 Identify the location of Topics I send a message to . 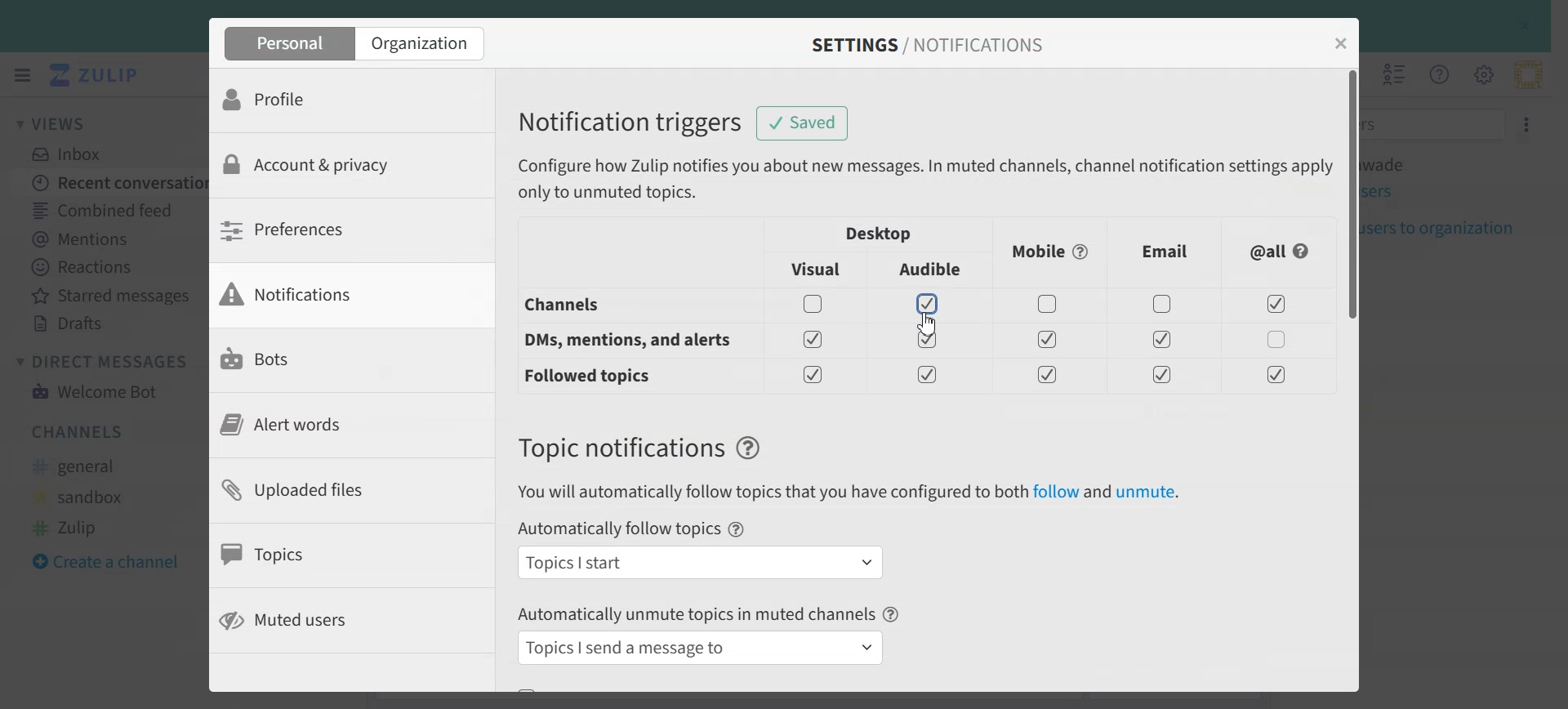
(703, 648).